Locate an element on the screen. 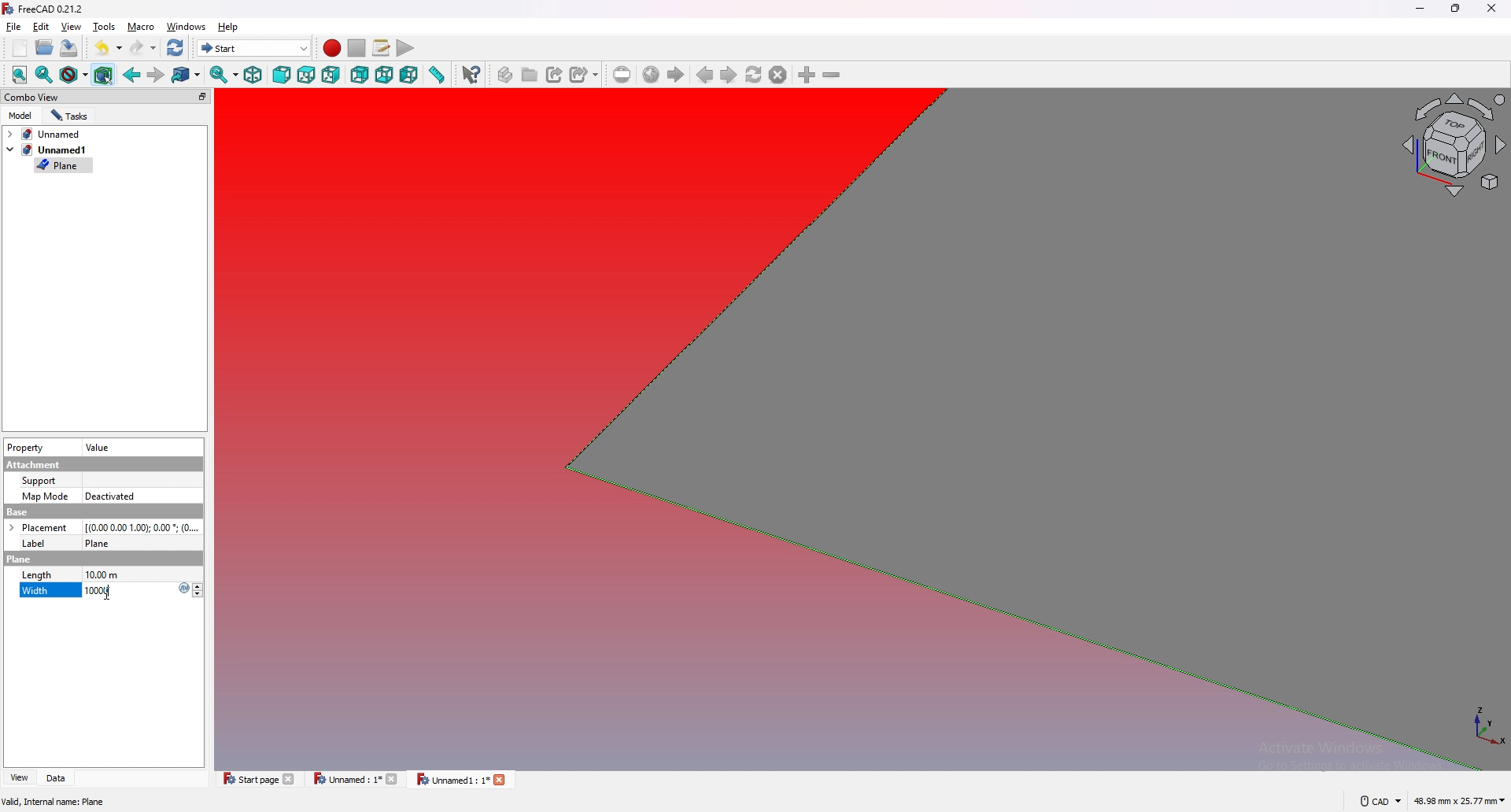  help is located at coordinates (229, 27).